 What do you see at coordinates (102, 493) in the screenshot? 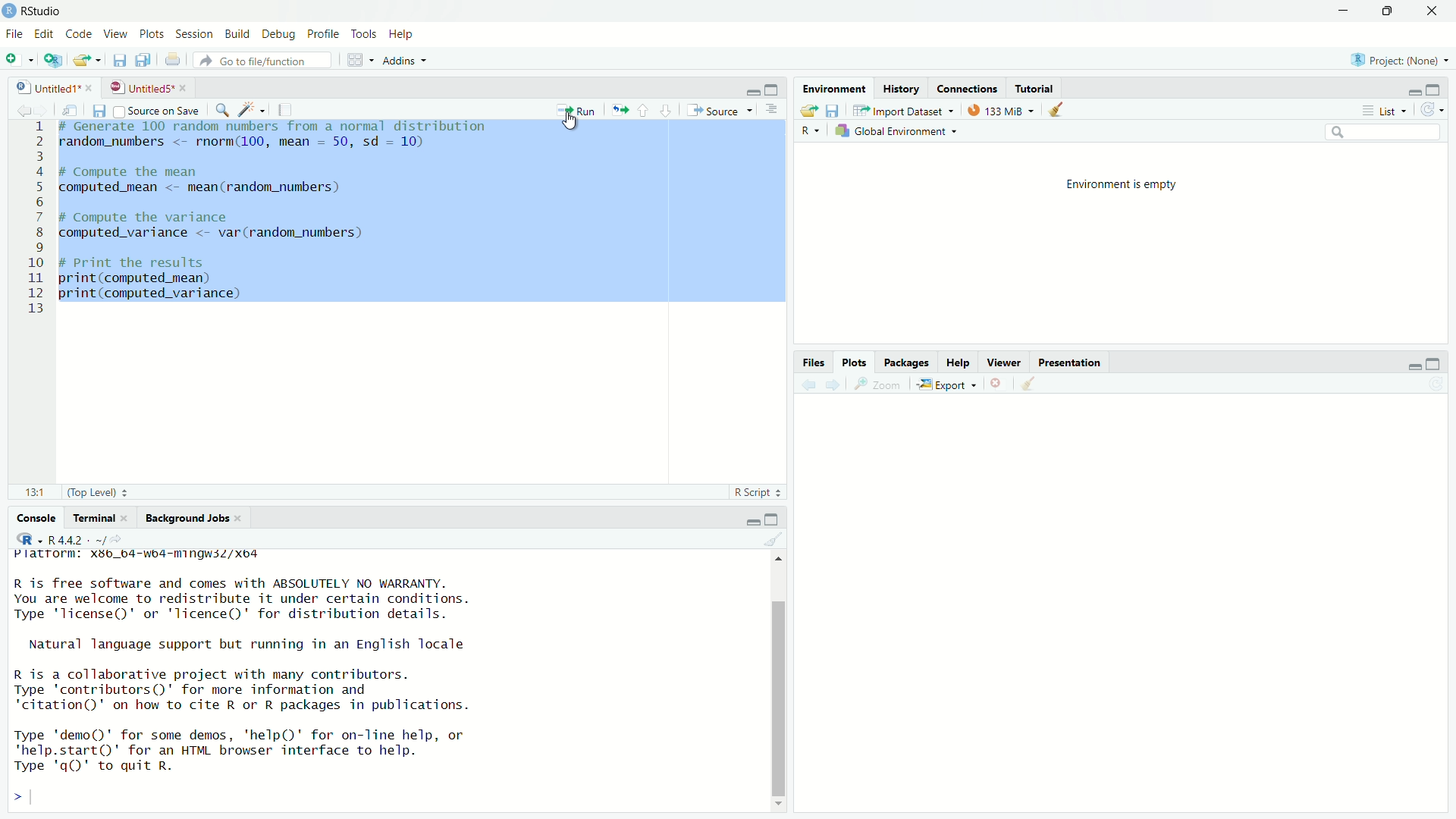
I see `(Top level)` at bounding box center [102, 493].